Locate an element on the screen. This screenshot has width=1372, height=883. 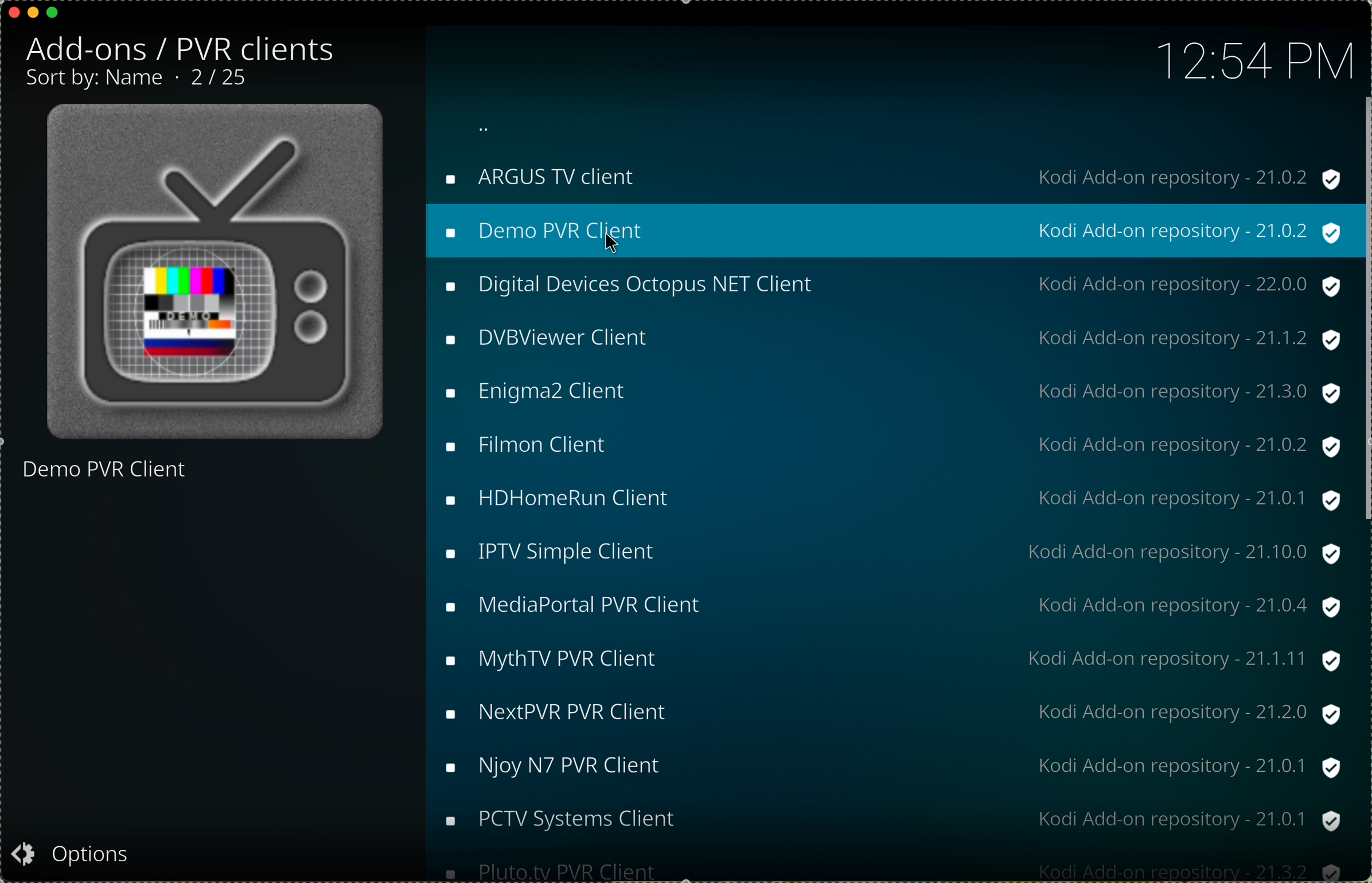
filmon client is located at coordinates (545, 448).